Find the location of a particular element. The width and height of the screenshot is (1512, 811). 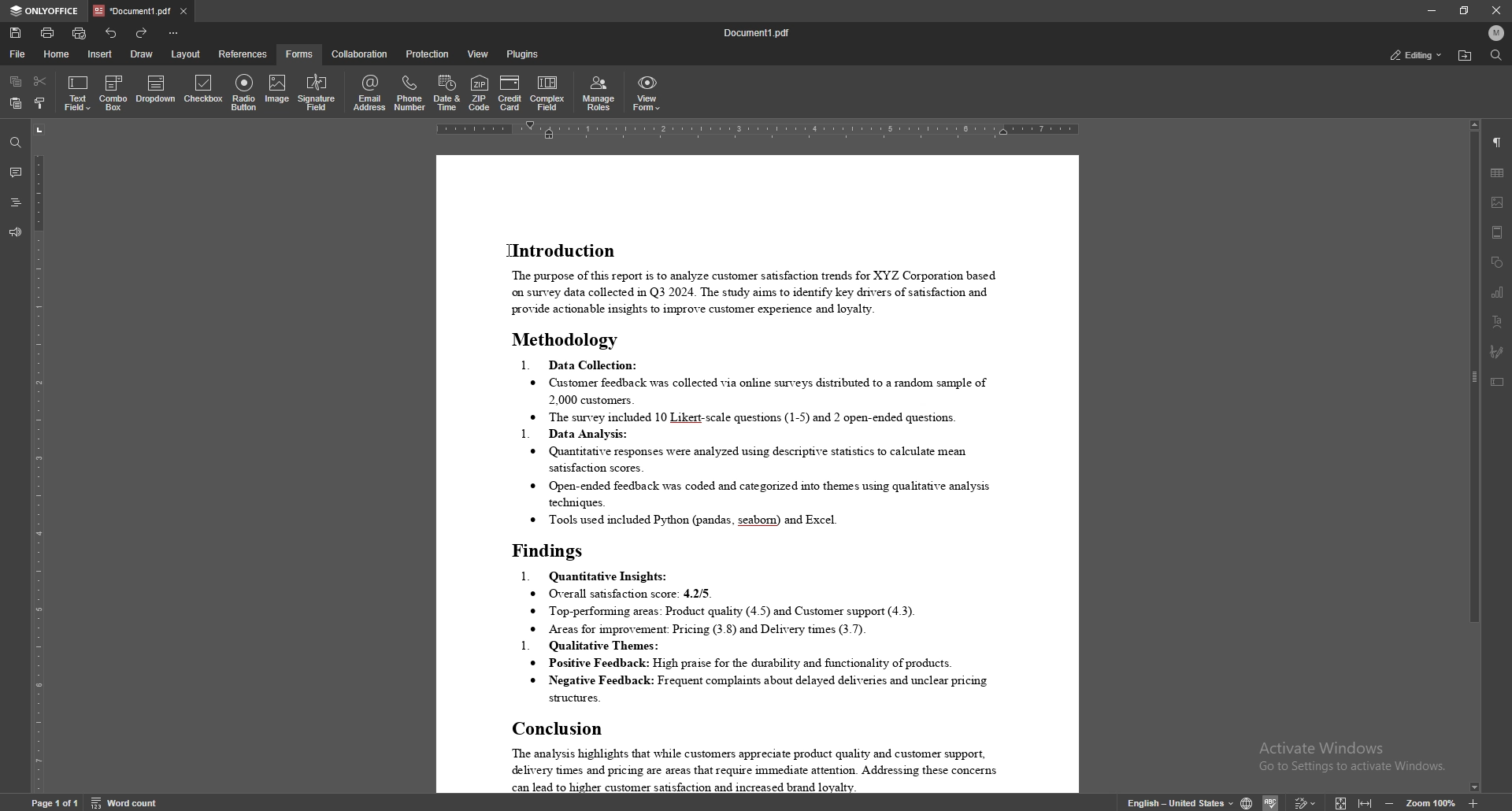

scroll bar is located at coordinates (1472, 458).